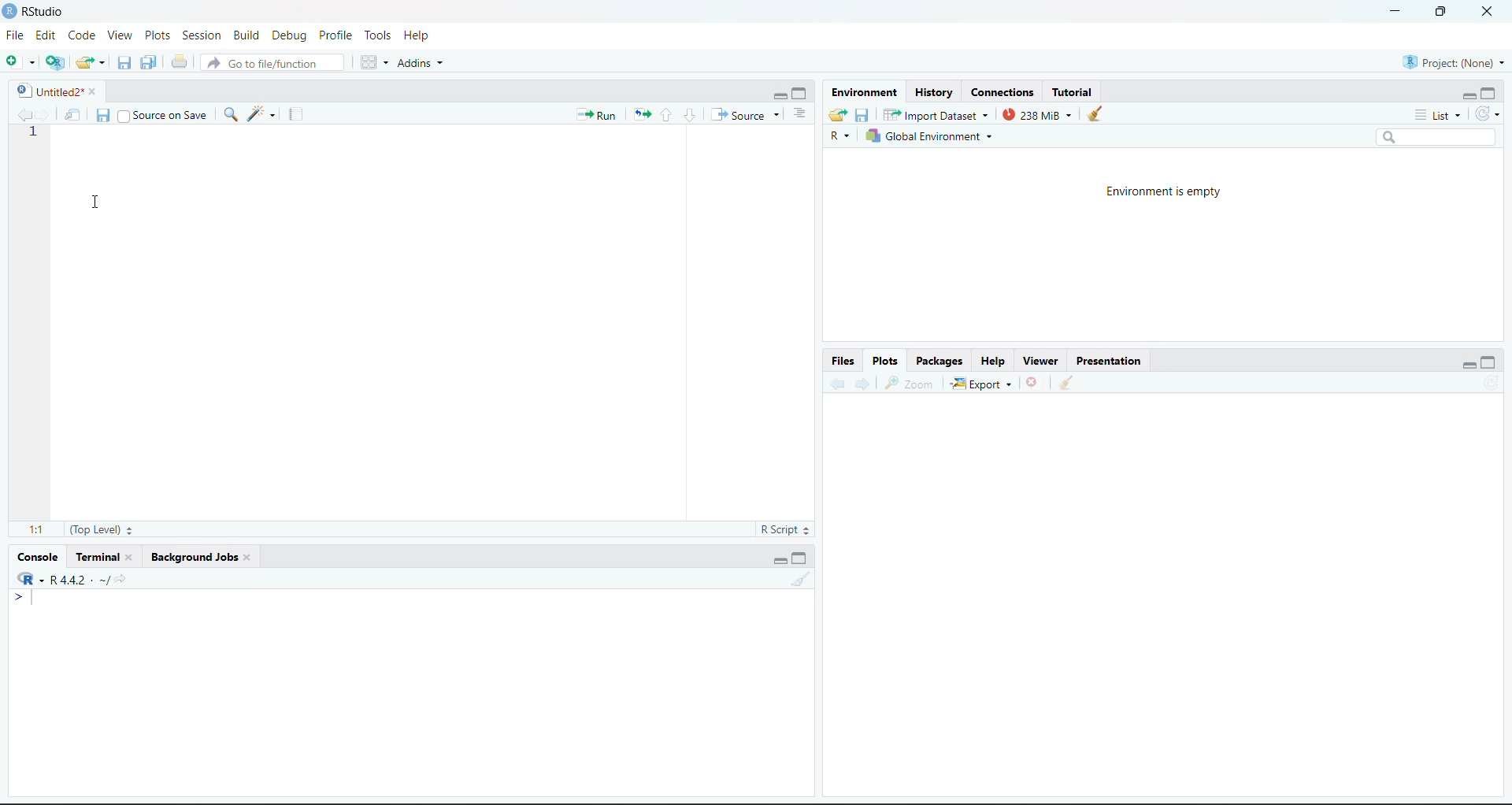 The width and height of the screenshot is (1512, 805). I want to click on open file, so click(91, 63).